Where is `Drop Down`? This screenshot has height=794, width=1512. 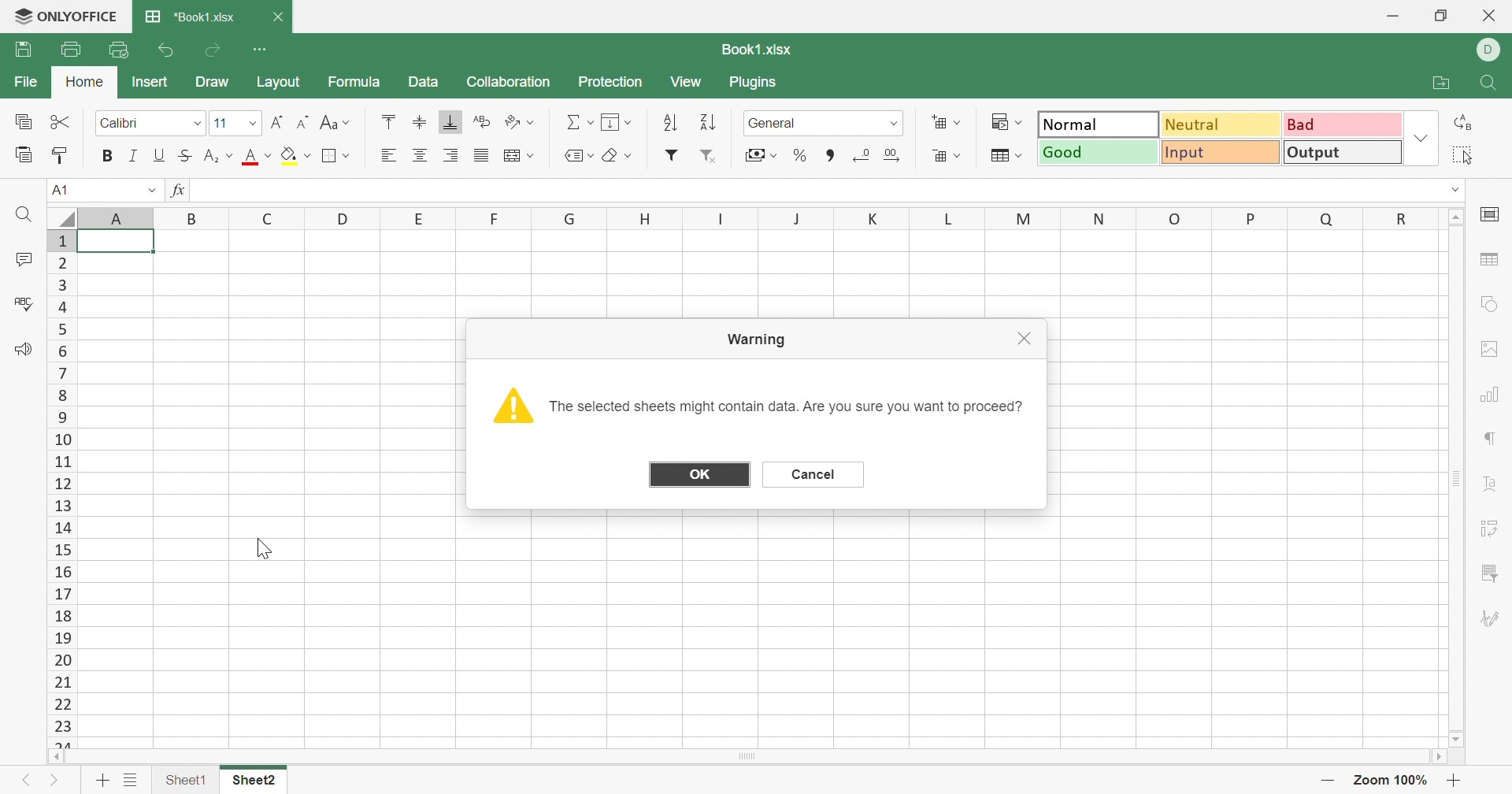
Drop Down is located at coordinates (895, 123).